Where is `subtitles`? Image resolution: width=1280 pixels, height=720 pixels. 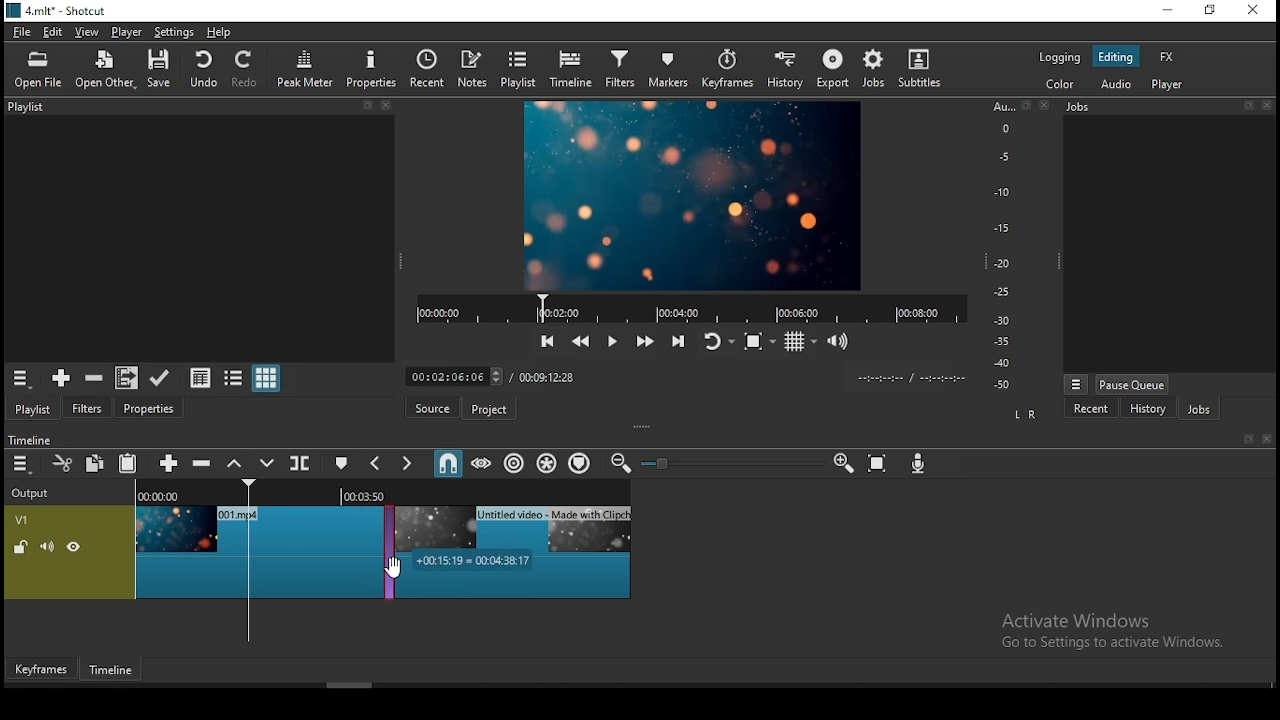 subtitles is located at coordinates (919, 69).